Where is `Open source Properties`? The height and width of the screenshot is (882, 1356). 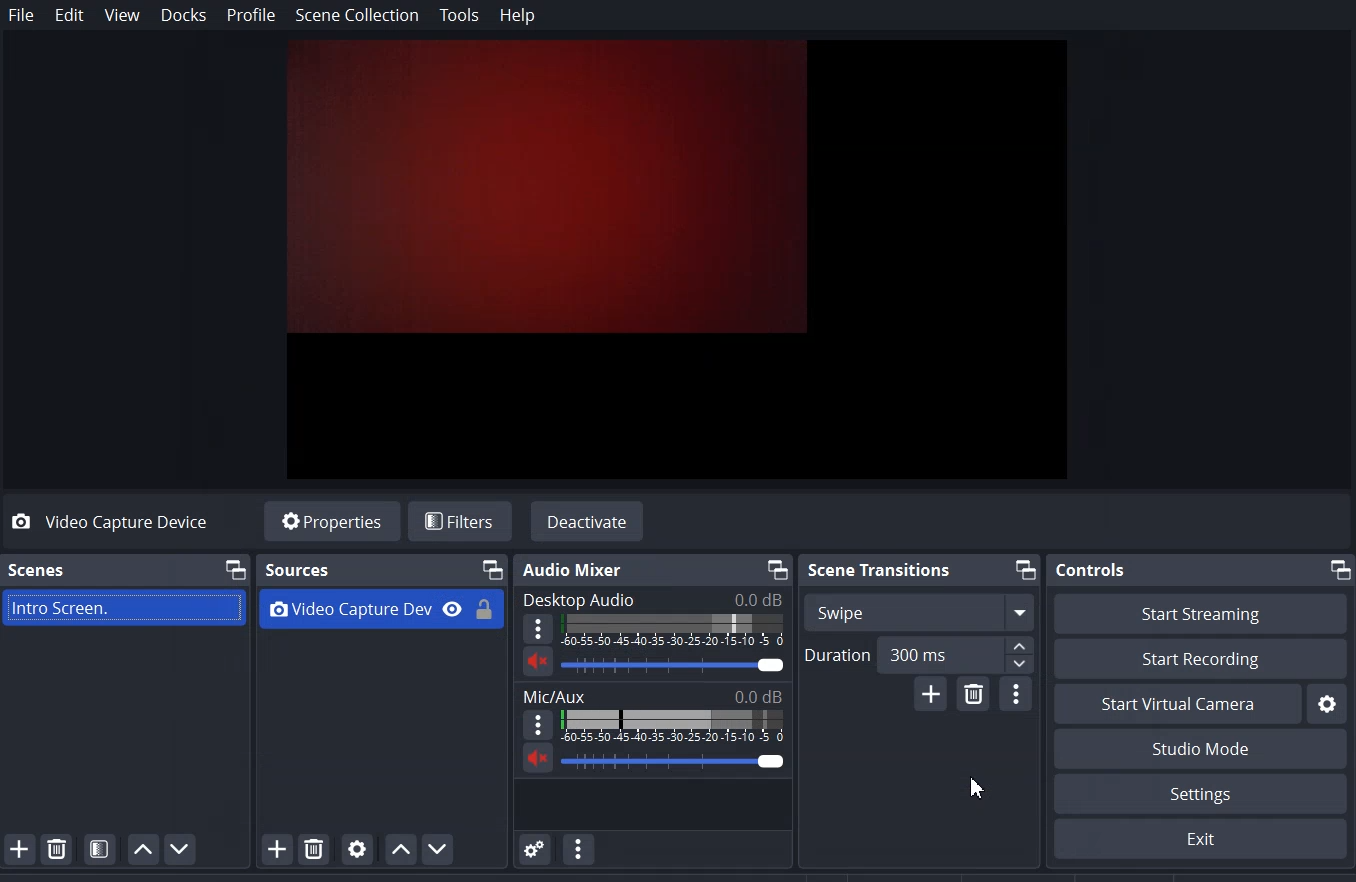 Open source Properties is located at coordinates (357, 849).